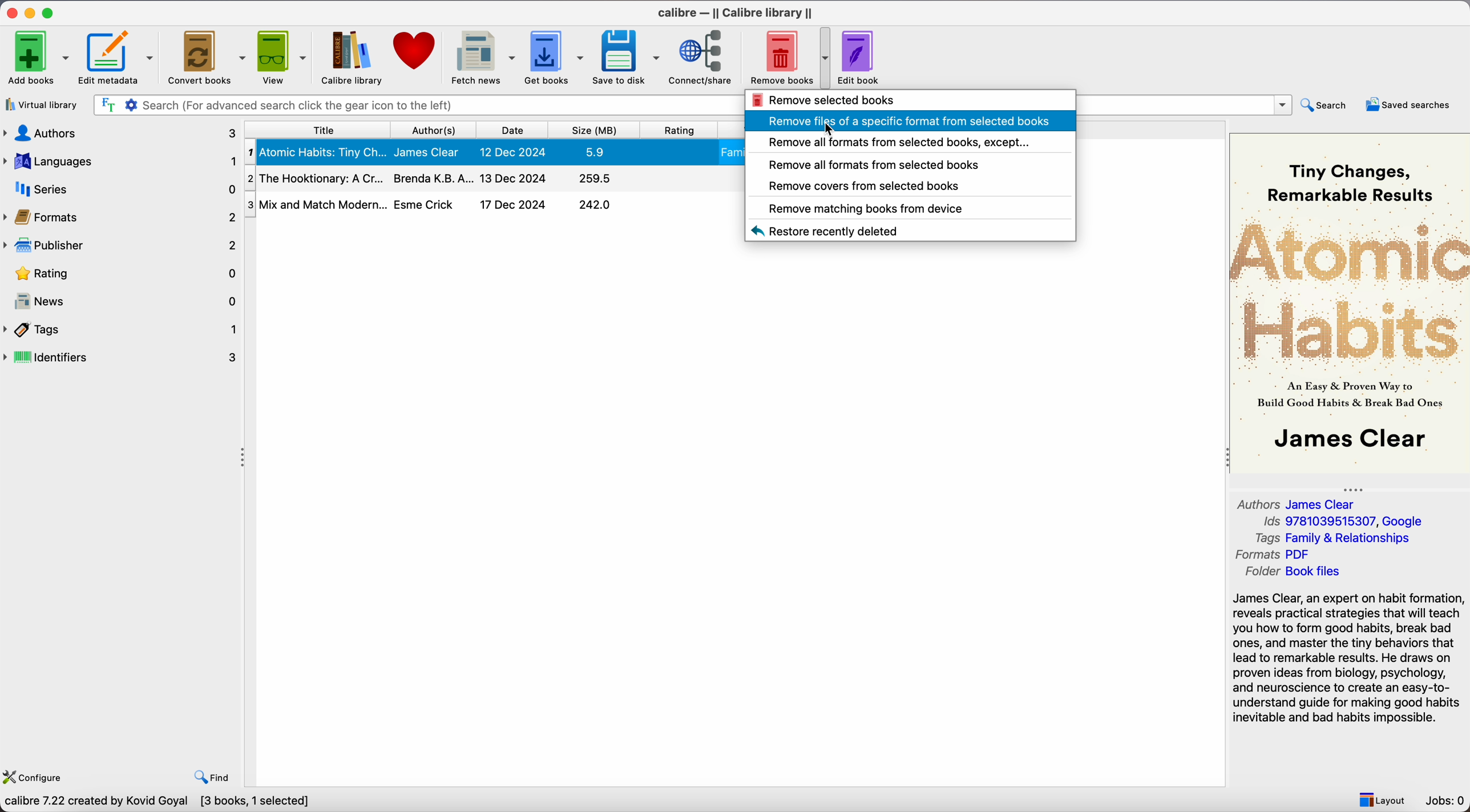 This screenshot has width=1470, height=812. What do you see at coordinates (778, 56) in the screenshot?
I see `remove books` at bounding box center [778, 56].